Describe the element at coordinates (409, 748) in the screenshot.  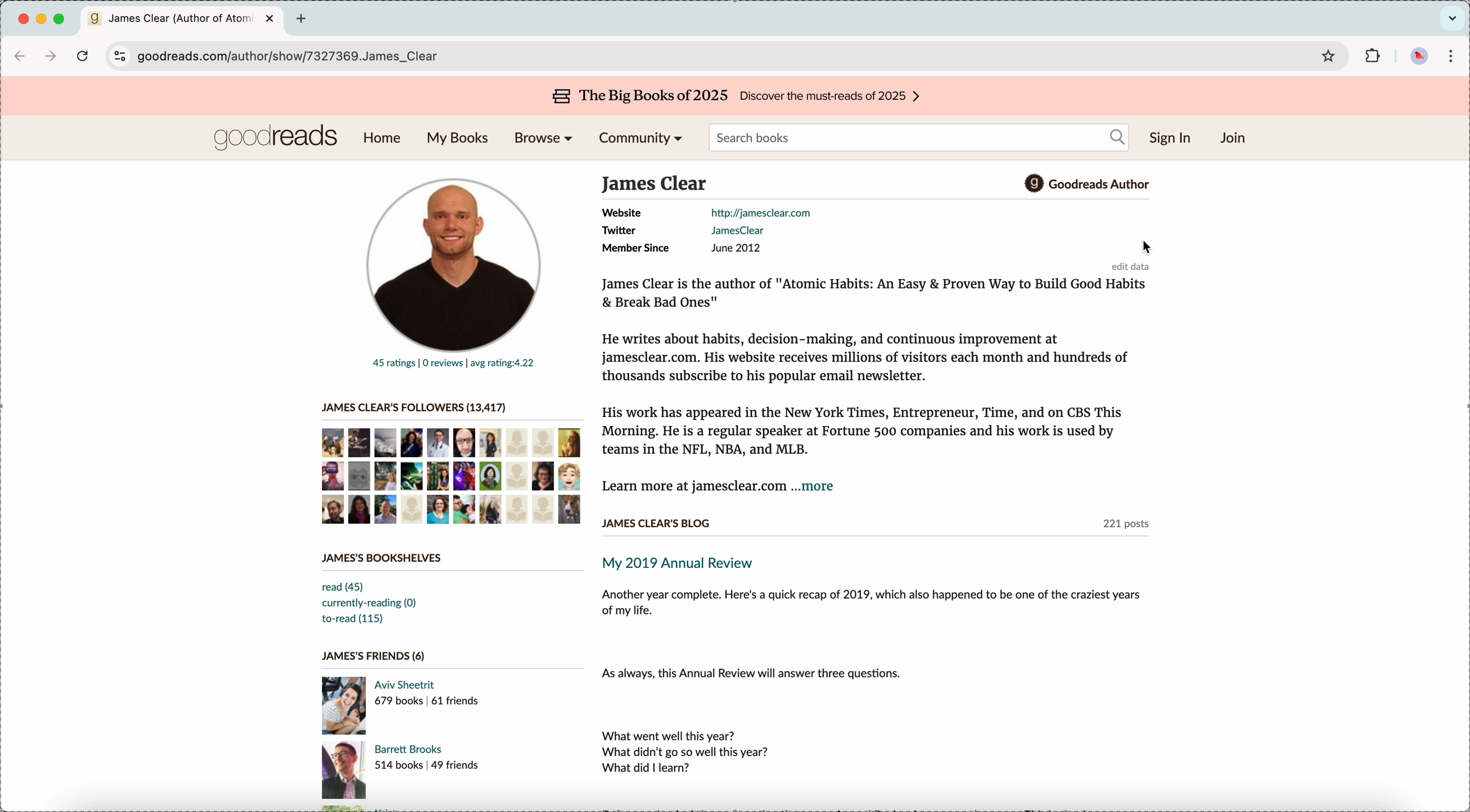
I see `Barrett Brooks` at that location.